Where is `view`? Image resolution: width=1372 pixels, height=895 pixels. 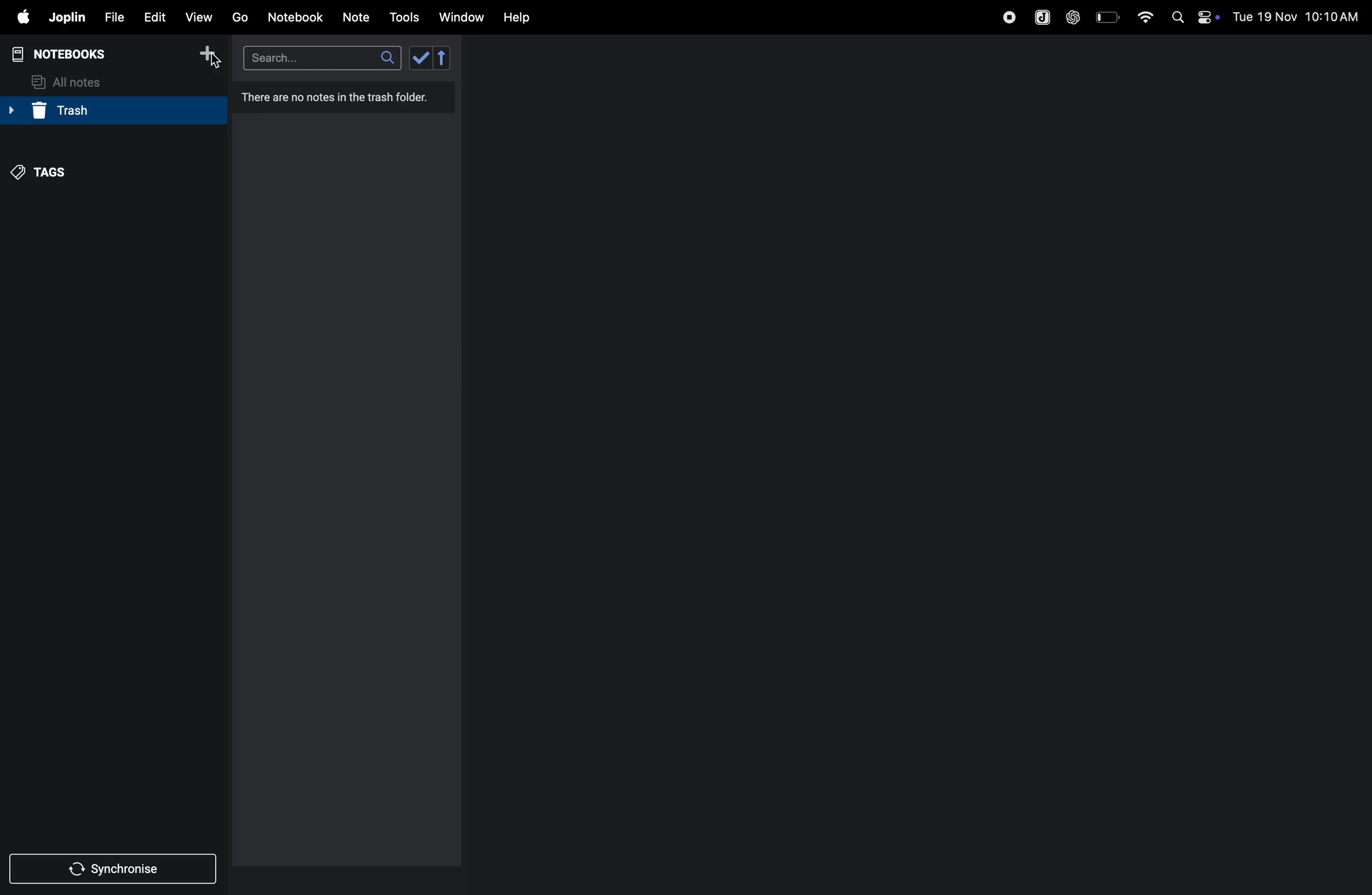 view is located at coordinates (201, 16).